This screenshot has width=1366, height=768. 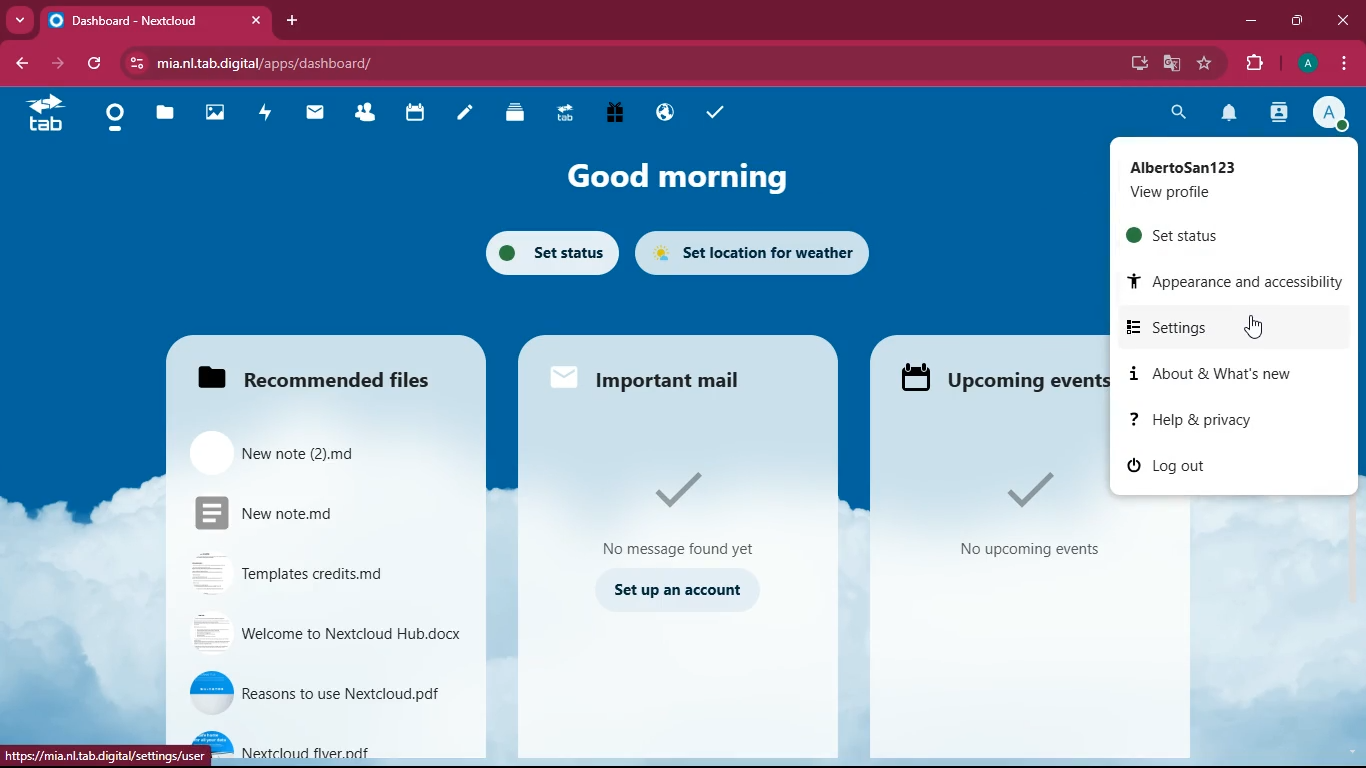 I want to click on about & what's new, so click(x=1232, y=376).